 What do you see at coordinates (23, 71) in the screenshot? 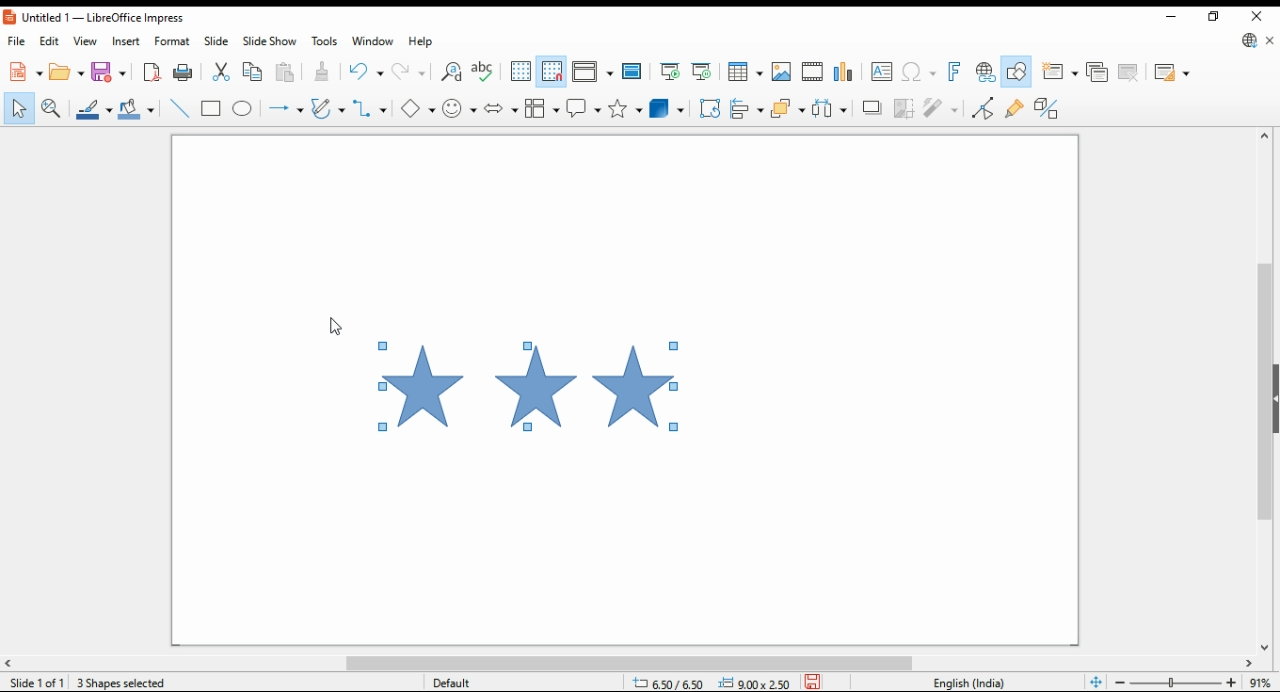
I see `new` at bounding box center [23, 71].